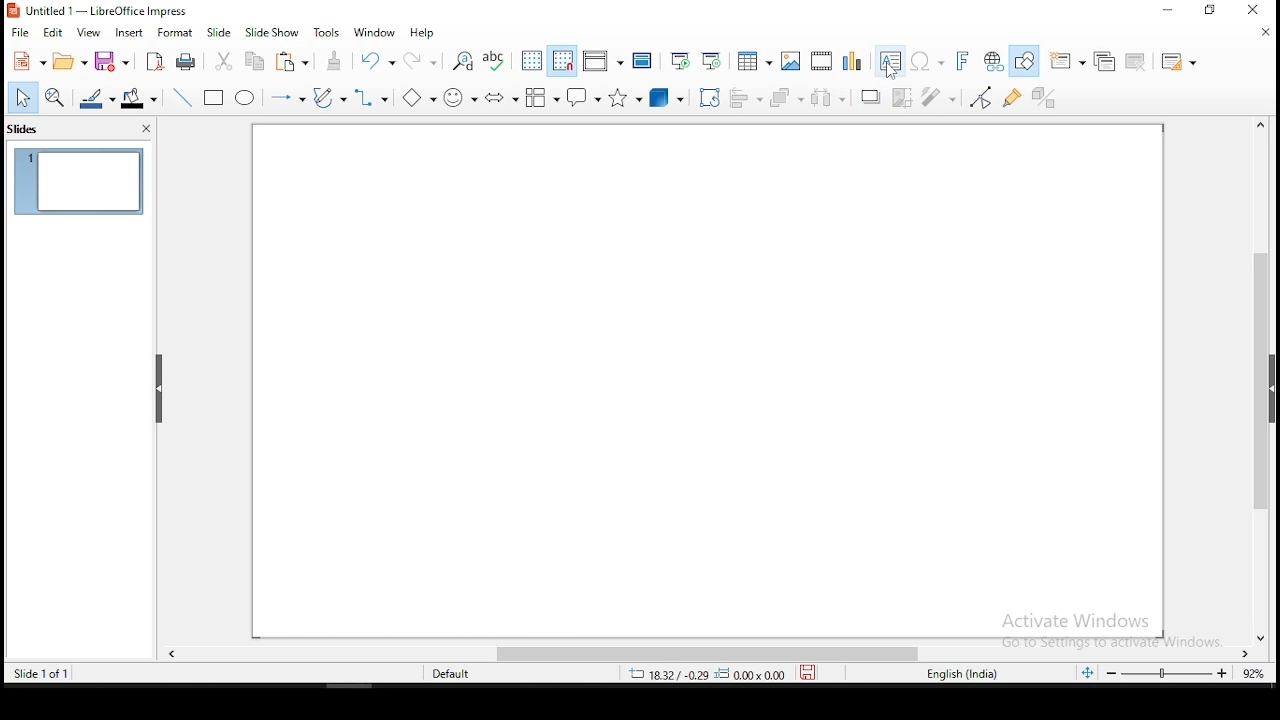  I want to click on zoom level, so click(1185, 673).